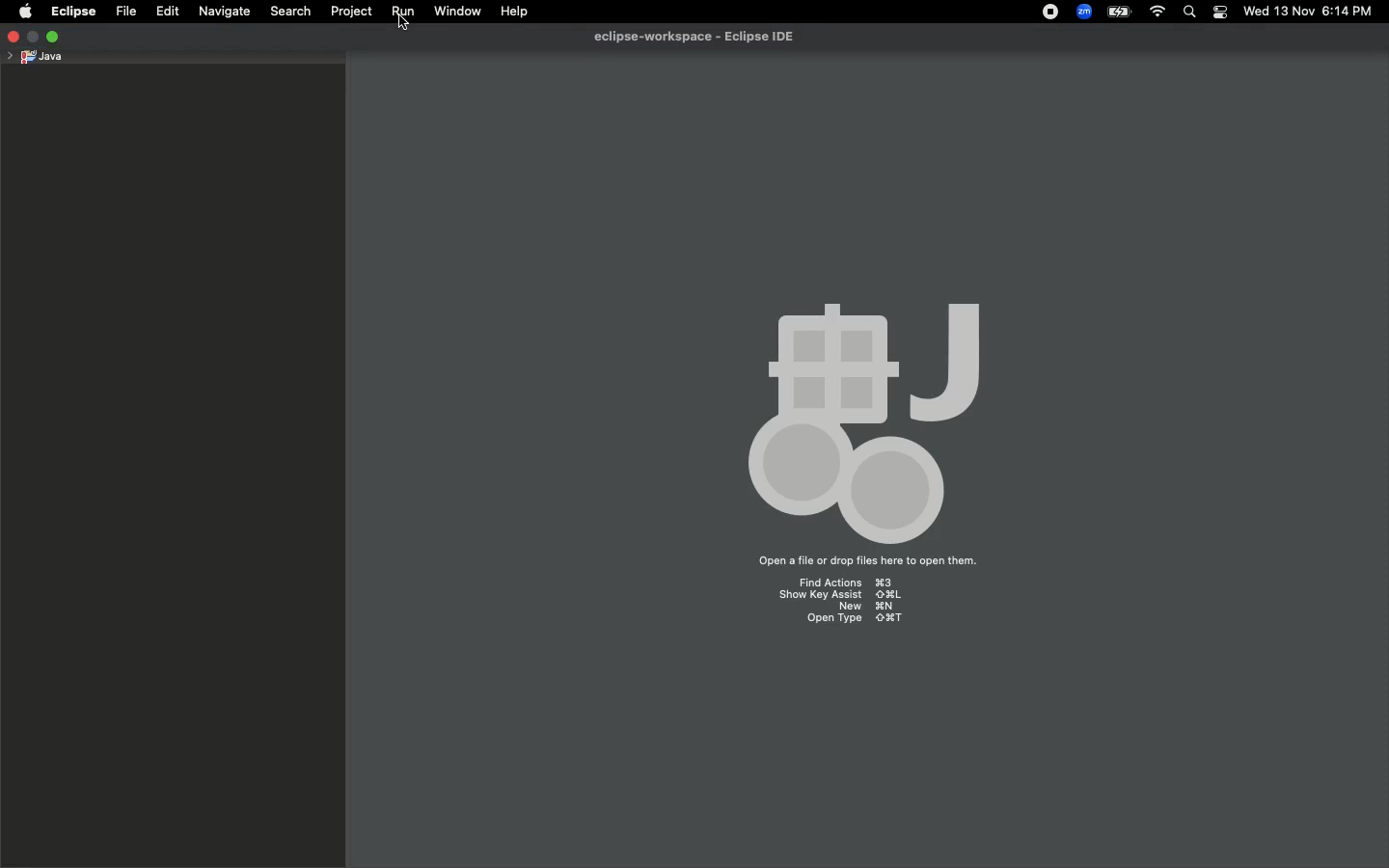 The width and height of the screenshot is (1389, 868). I want to click on Open a file or drop files here, so click(858, 563).